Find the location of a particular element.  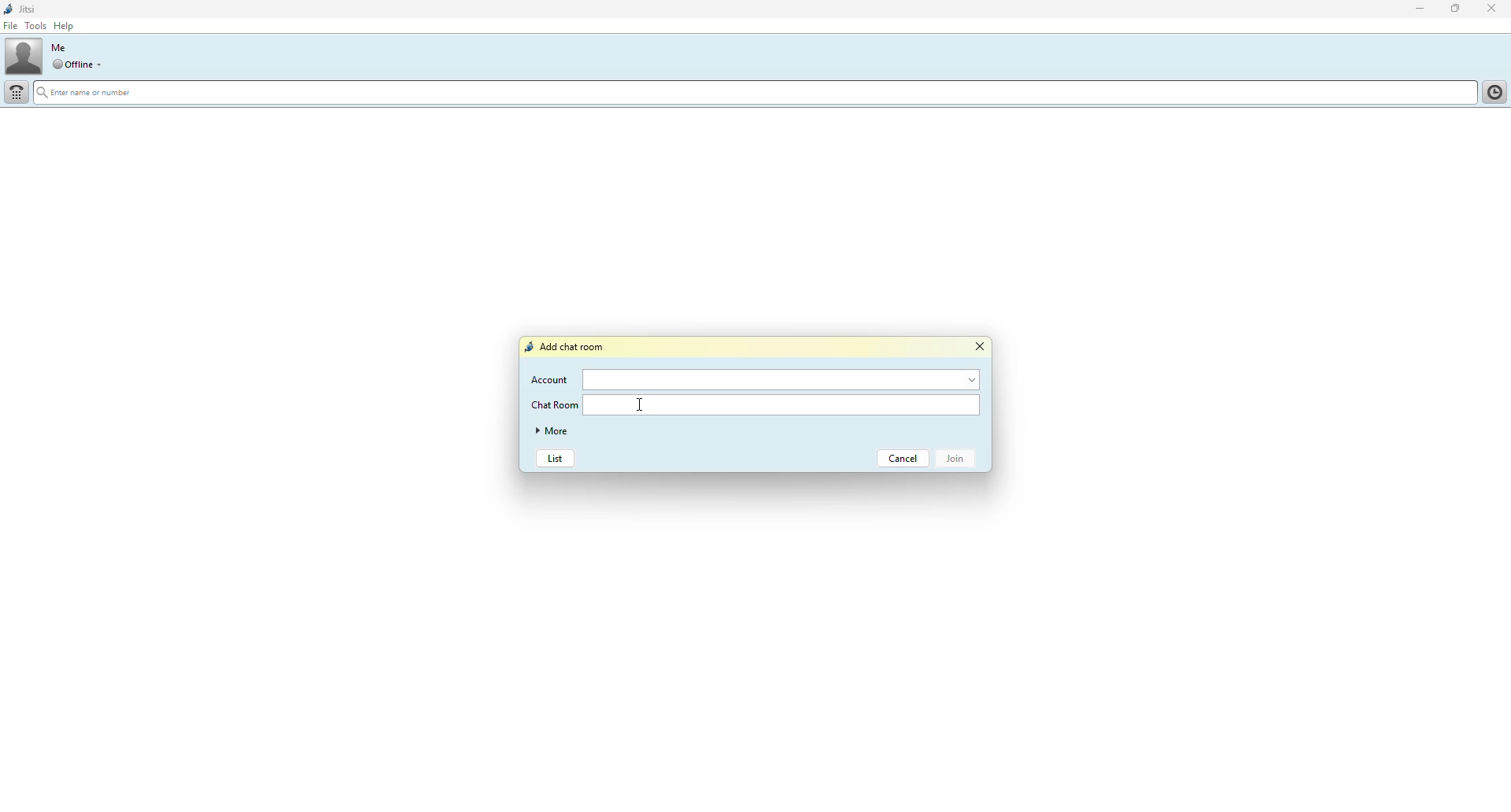

me is located at coordinates (58, 47).